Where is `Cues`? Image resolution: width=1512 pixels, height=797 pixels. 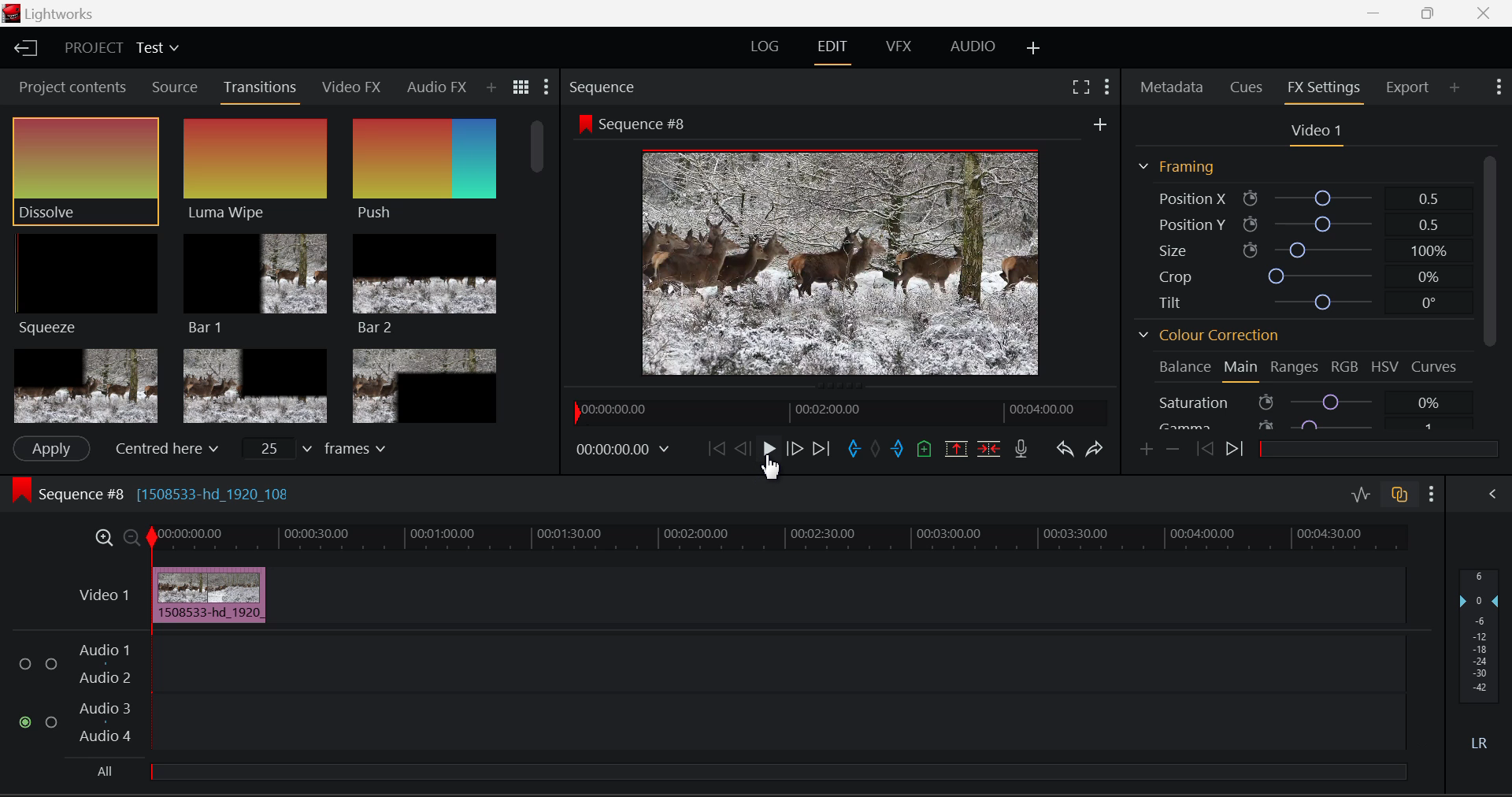 Cues is located at coordinates (1244, 88).